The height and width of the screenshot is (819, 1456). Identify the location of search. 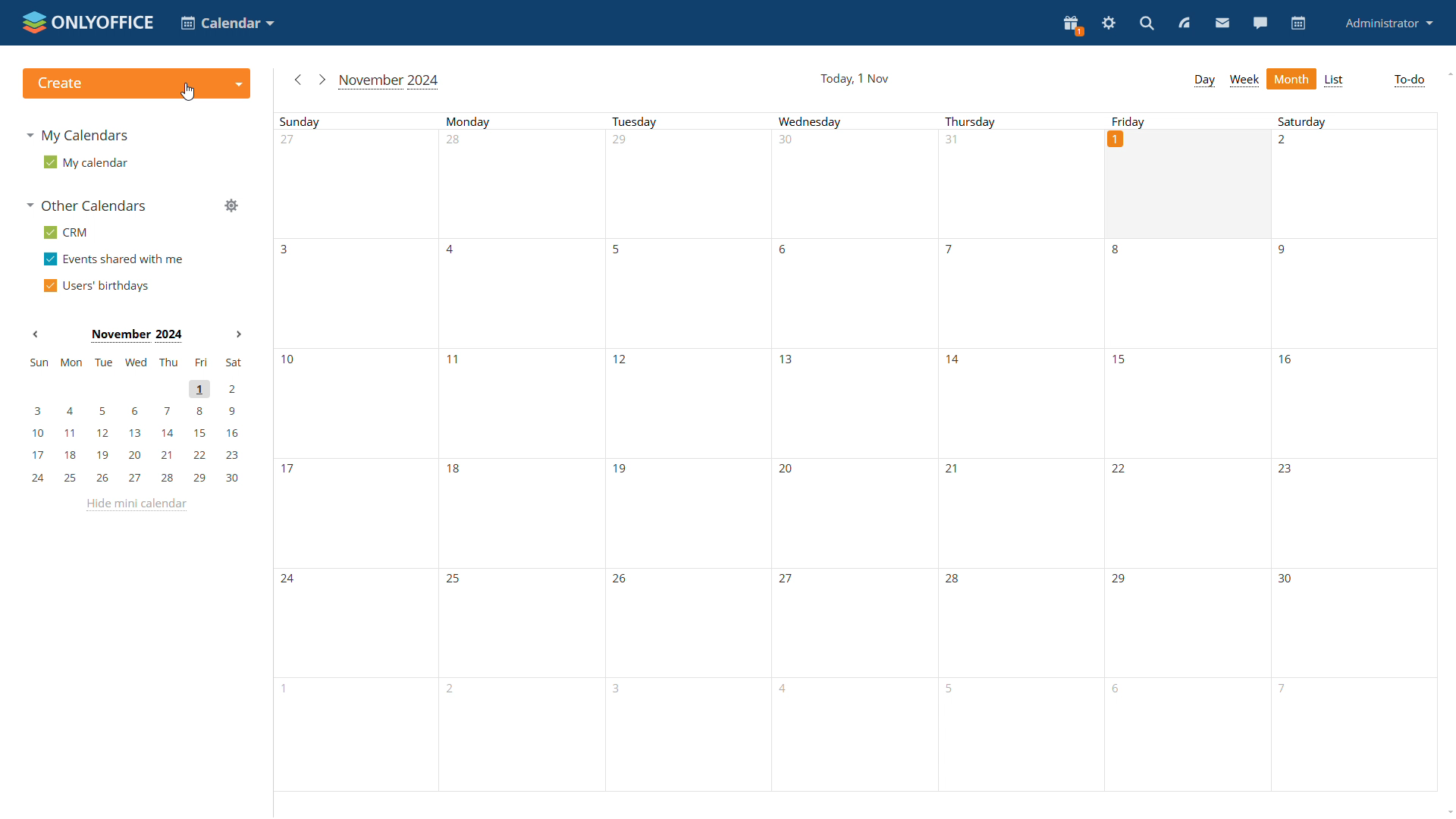
(1148, 23).